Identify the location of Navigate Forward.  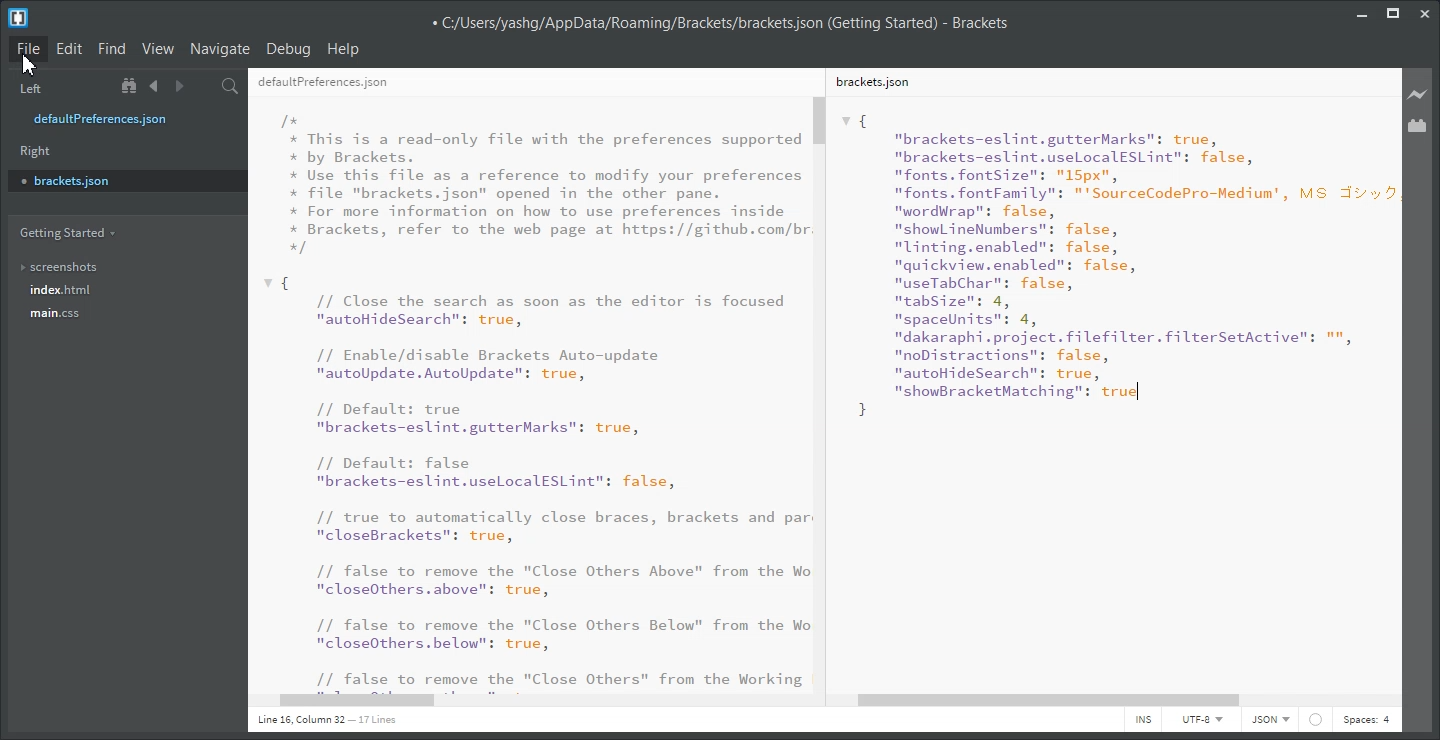
(179, 86).